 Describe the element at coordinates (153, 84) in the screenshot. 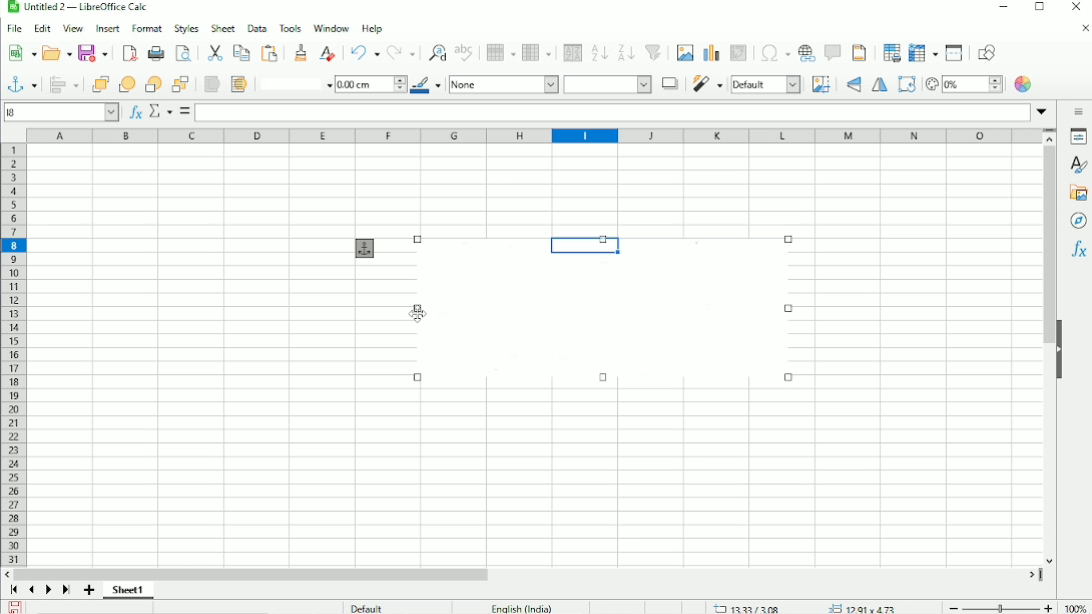

I see `back one` at that location.